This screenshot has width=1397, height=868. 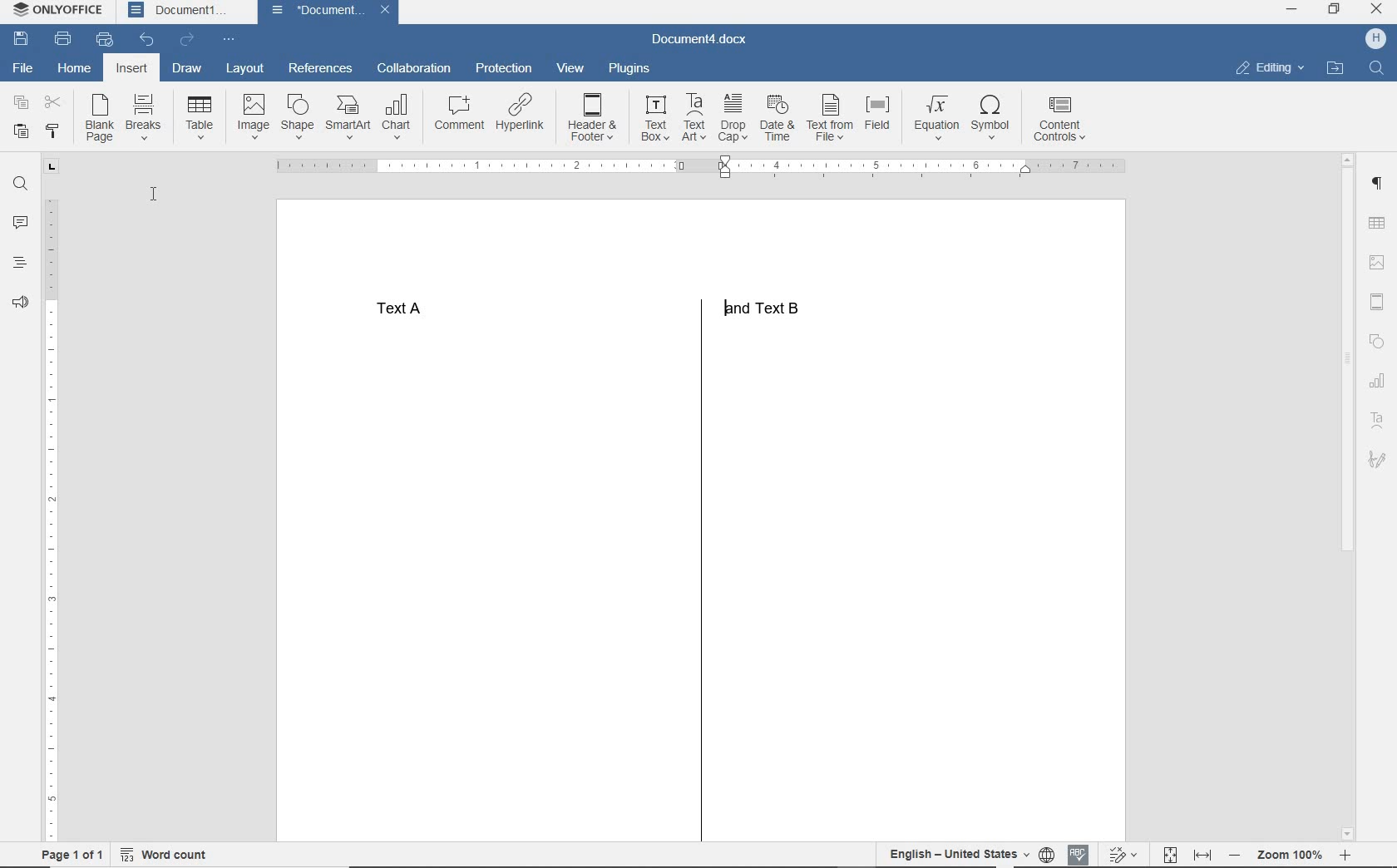 What do you see at coordinates (1078, 851) in the screenshot?
I see `SPELL CHECKING` at bounding box center [1078, 851].